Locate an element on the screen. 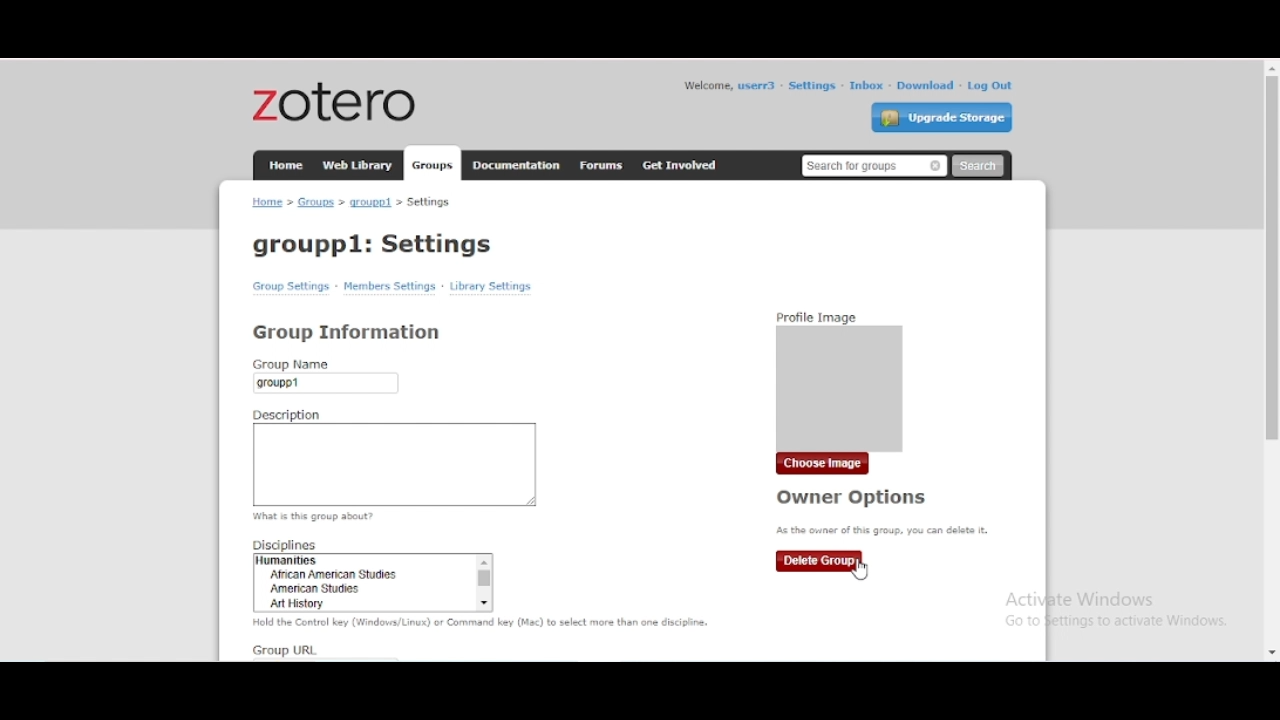 The image size is (1280, 720). home is located at coordinates (267, 201).